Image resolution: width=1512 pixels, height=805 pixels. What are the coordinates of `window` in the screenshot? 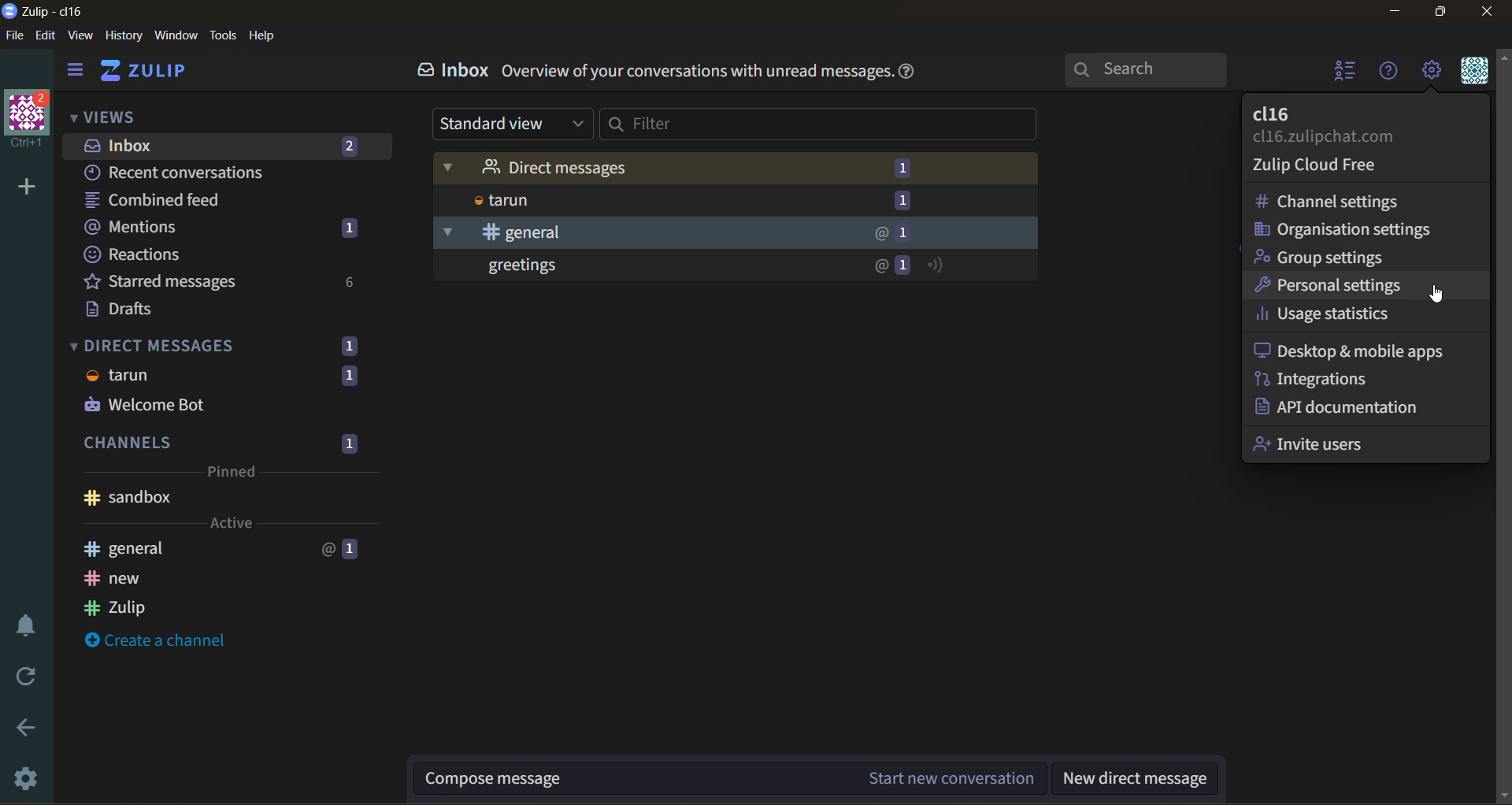 It's located at (177, 36).